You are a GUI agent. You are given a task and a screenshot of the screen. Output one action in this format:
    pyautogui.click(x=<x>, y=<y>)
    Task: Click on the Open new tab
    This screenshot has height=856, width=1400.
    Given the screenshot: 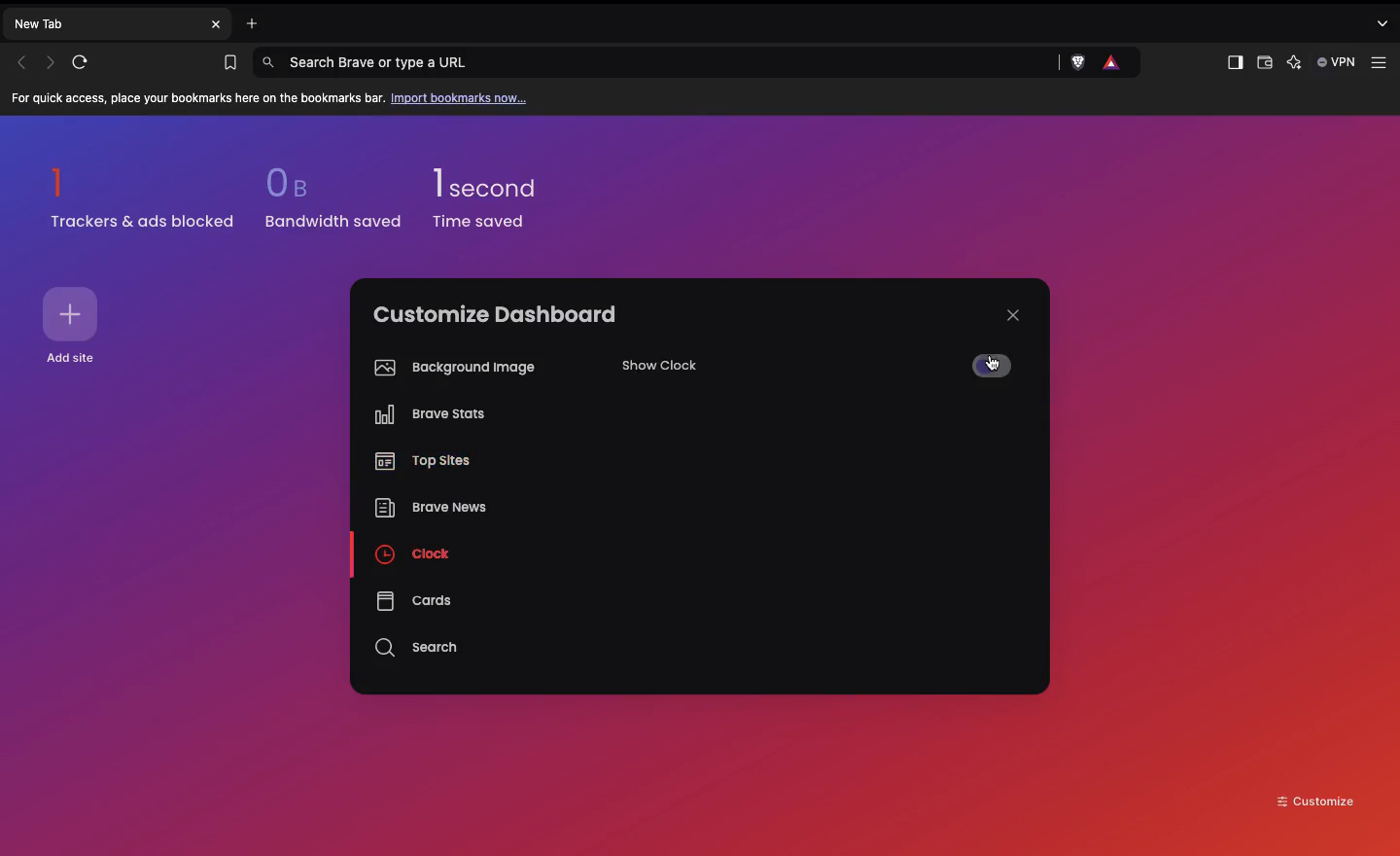 What is the action you would take?
    pyautogui.click(x=247, y=21)
    